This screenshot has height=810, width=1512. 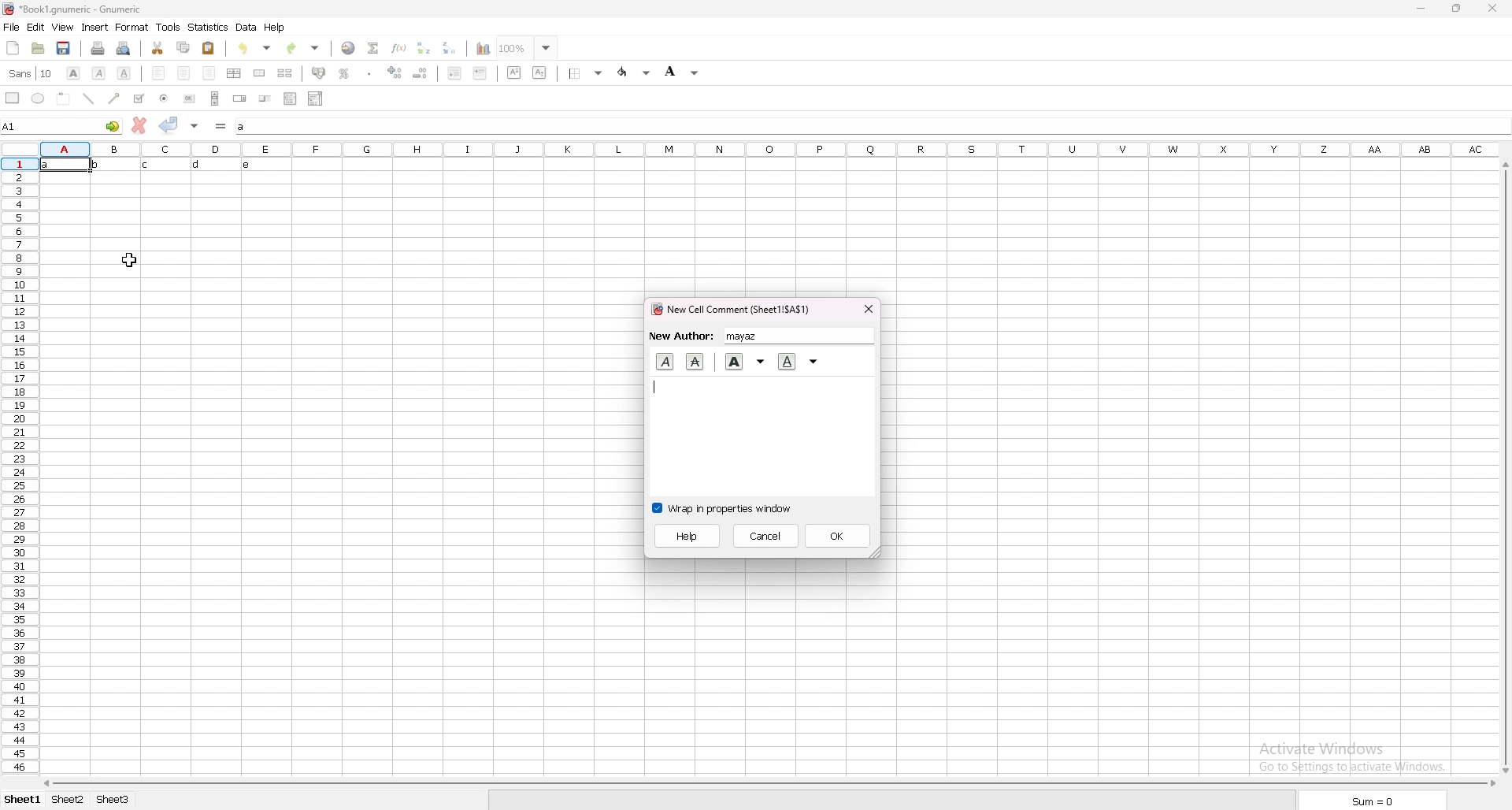 I want to click on foreground, so click(x=635, y=72).